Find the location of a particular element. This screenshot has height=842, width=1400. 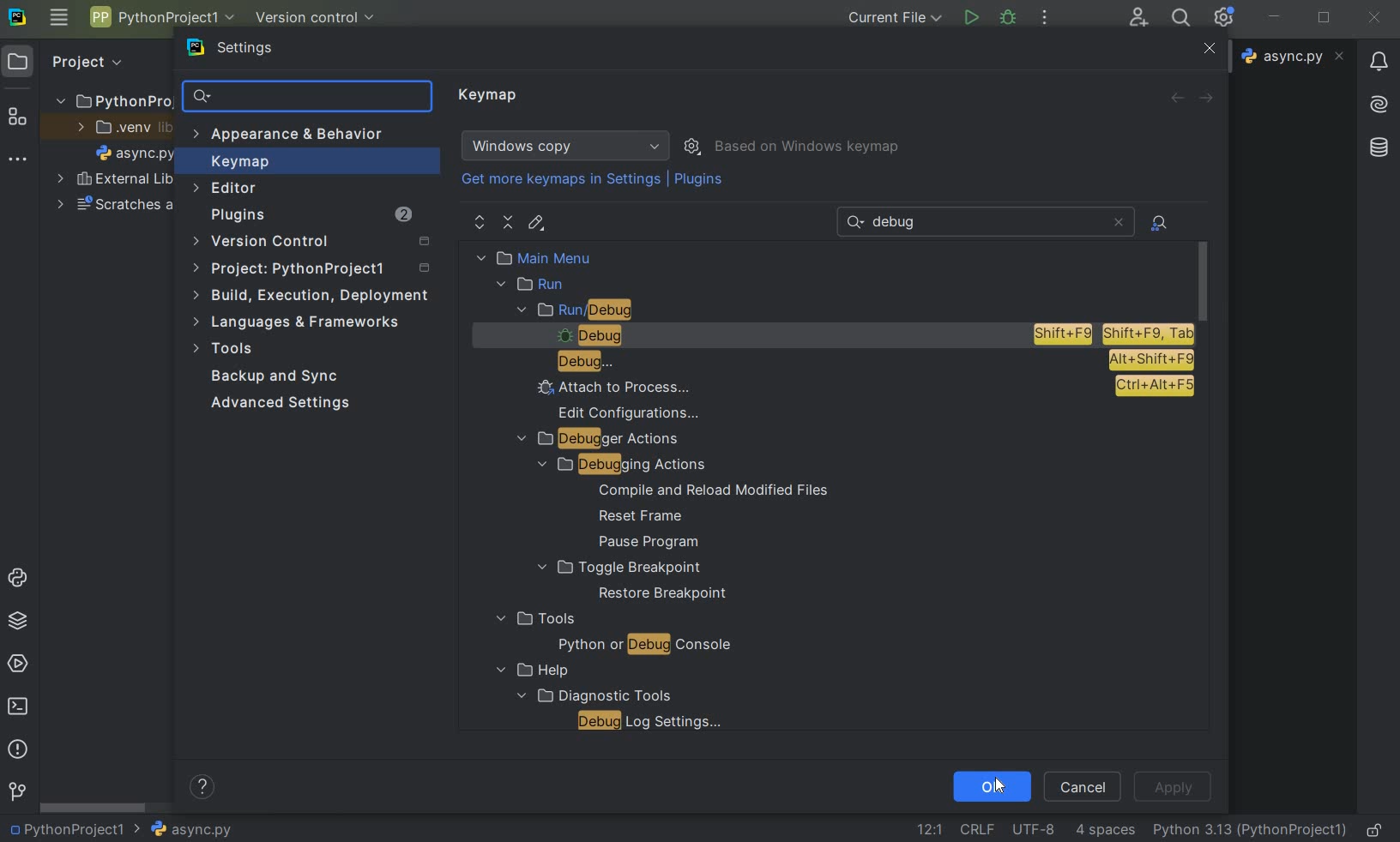

build, execution, deployment is located at coordinates (312, 295).